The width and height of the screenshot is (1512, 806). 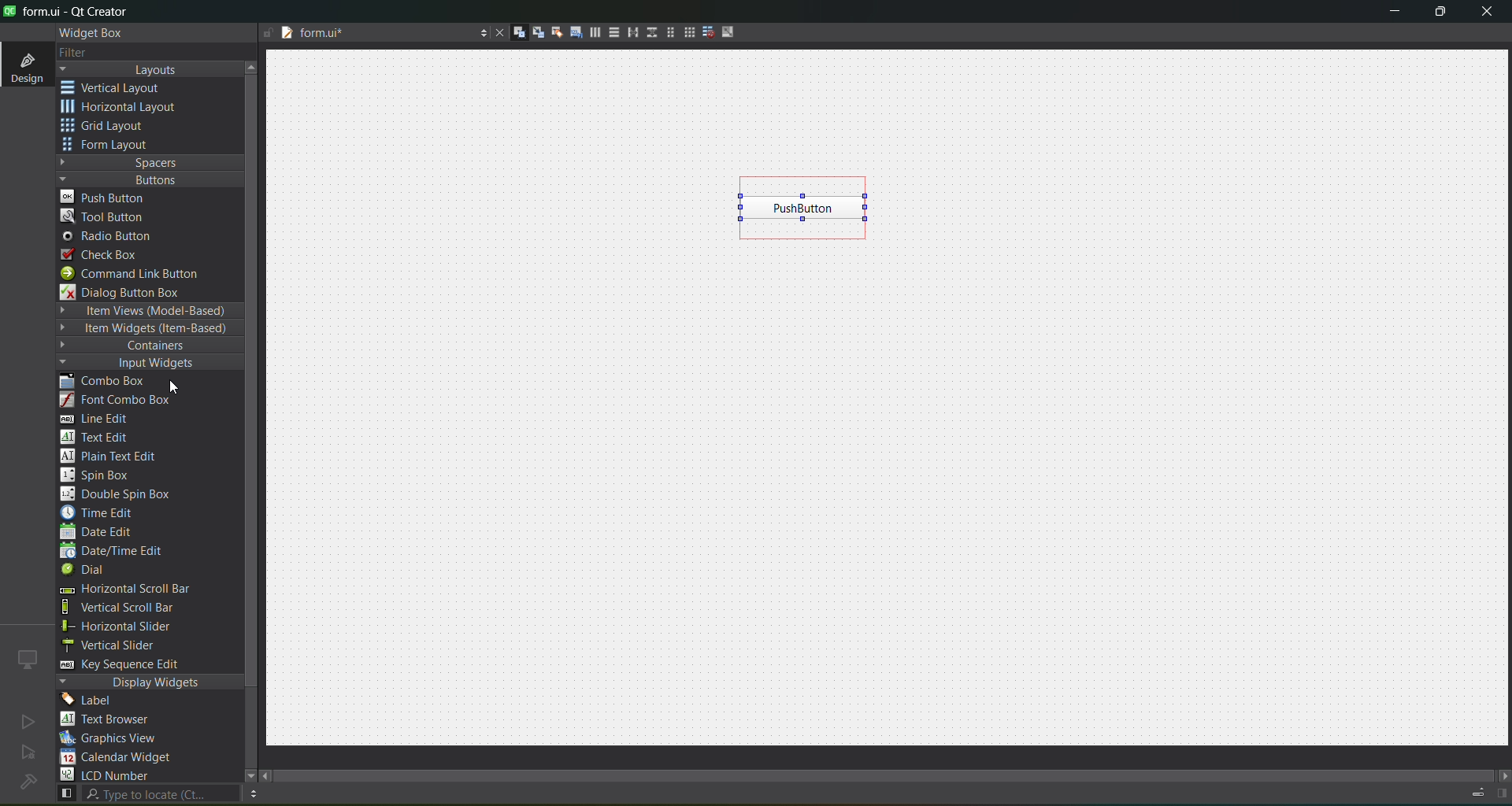 I want to click on layout in a grid, so click(x=684, y=32).